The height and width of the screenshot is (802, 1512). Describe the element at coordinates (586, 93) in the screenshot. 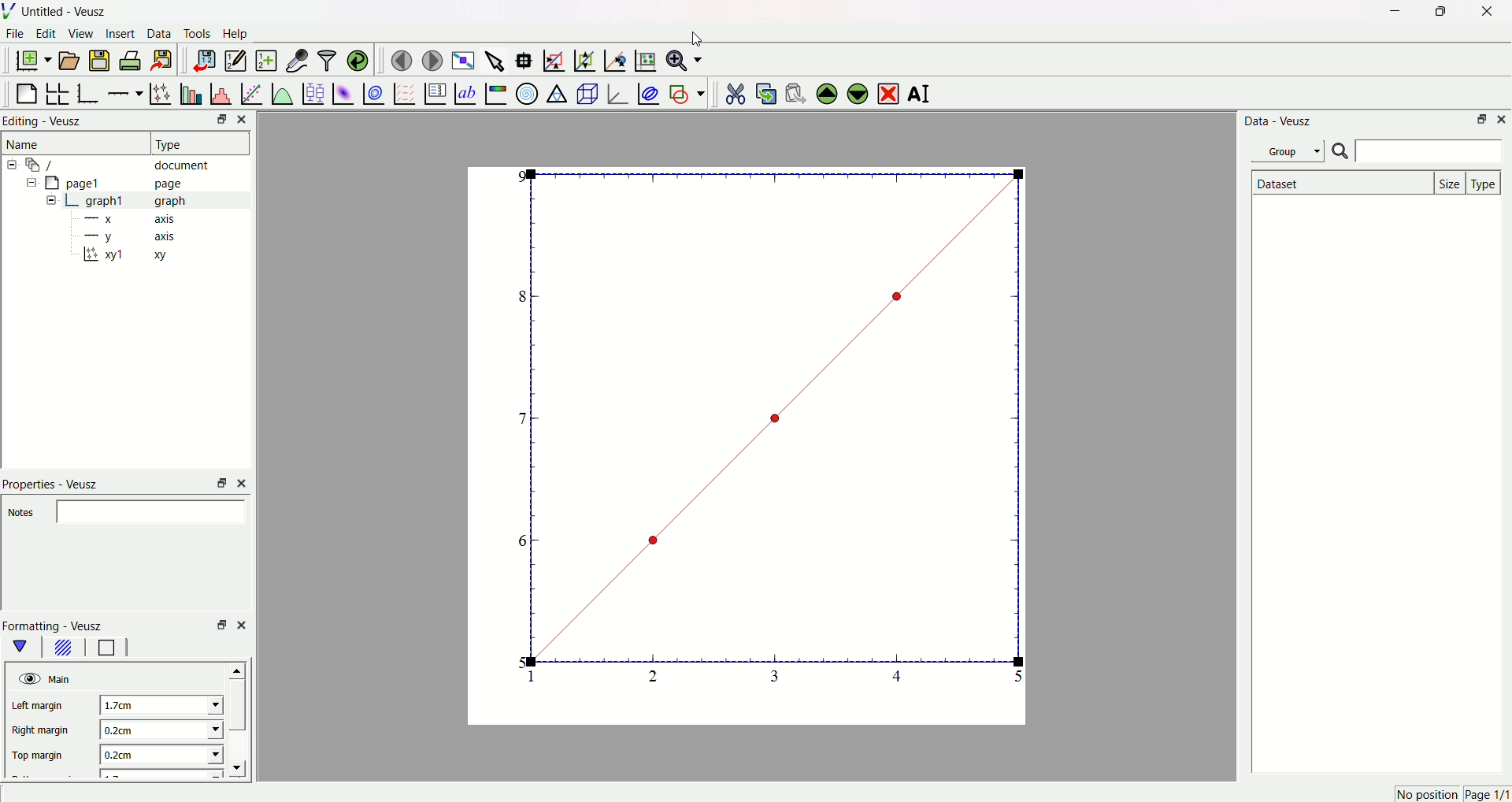

I see `3d scenes` at that location.